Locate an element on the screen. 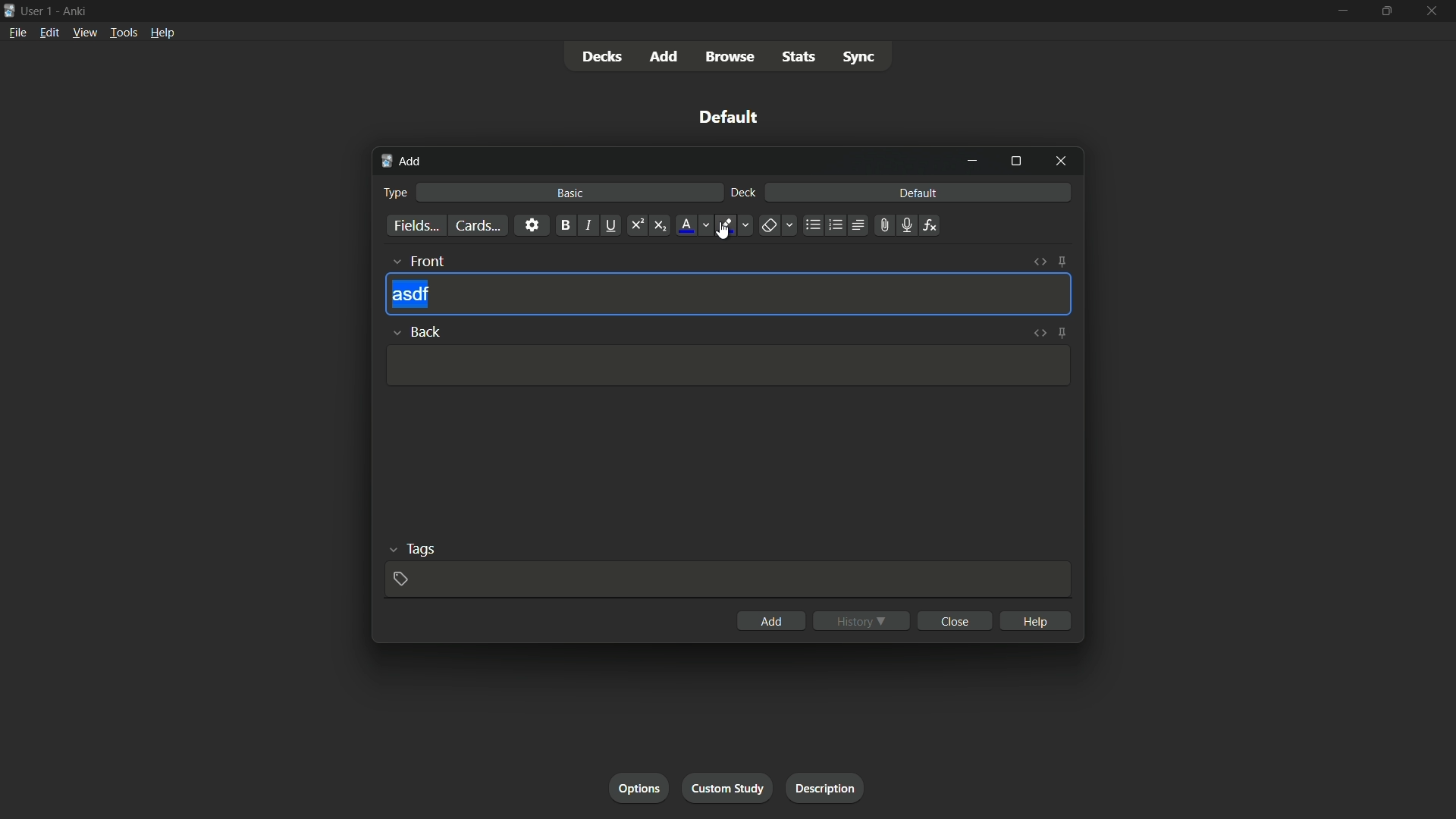 The image size is (1456, 819). subscript is located at coordinates (661, 225).